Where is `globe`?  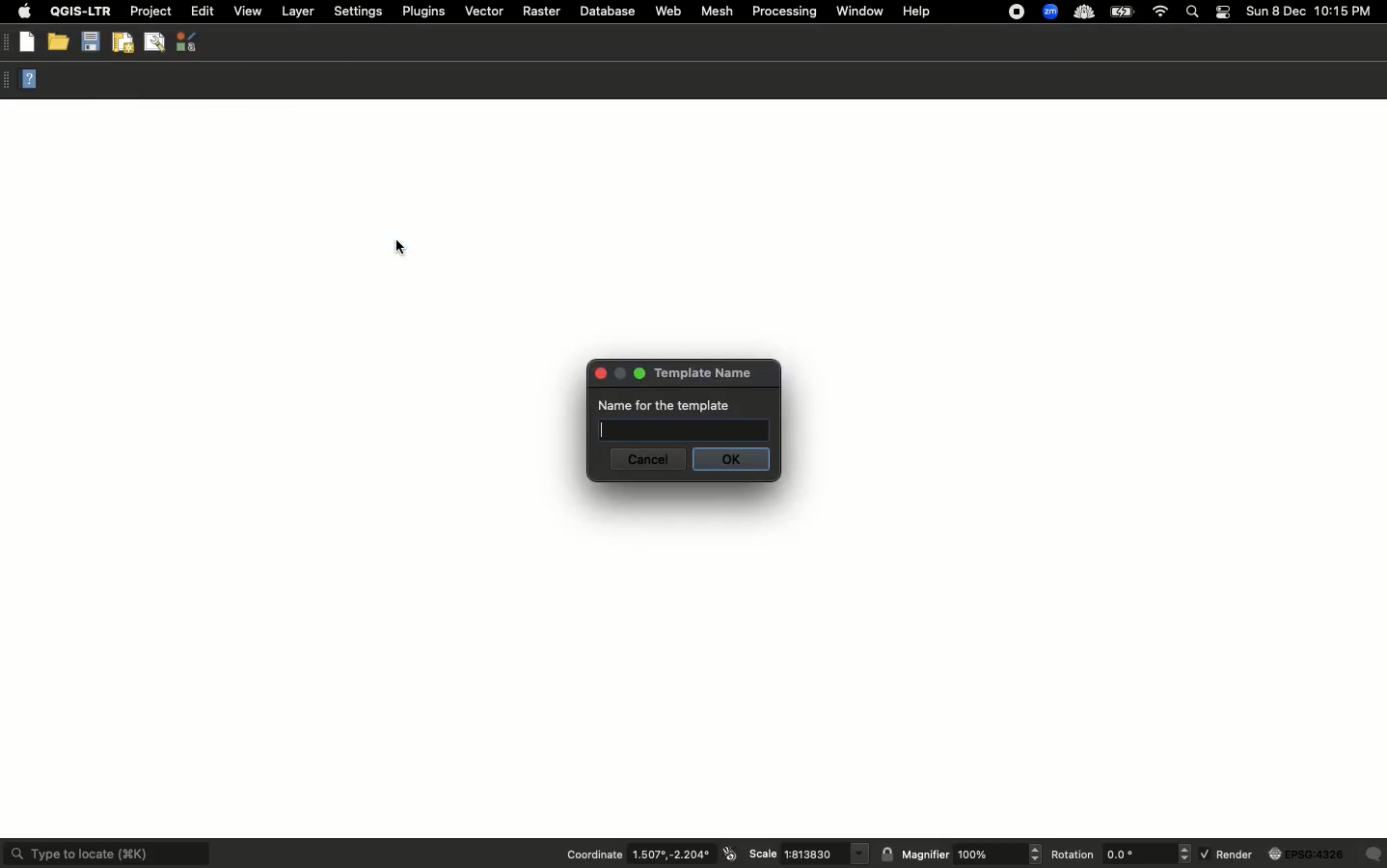 globe is located at coordinates (1309, 854).